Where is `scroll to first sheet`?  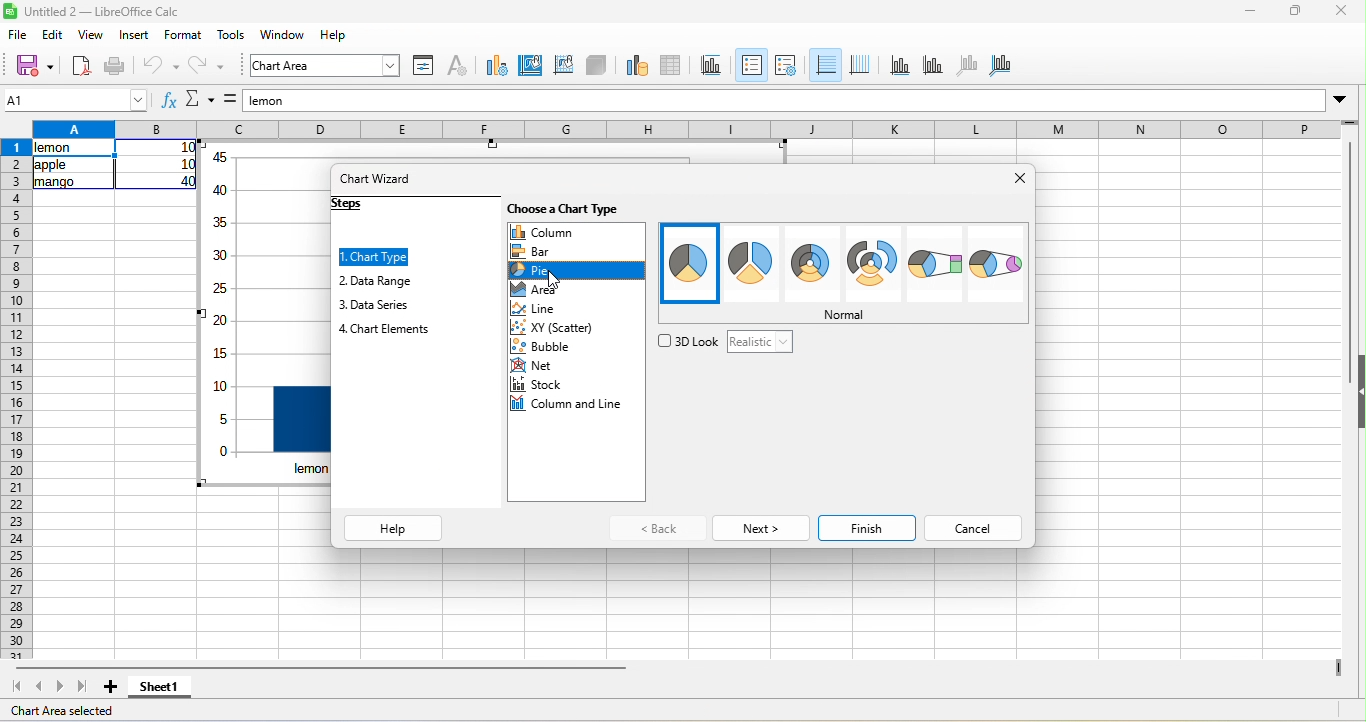
scroll to first sheet is located at coordinates (18, 687).